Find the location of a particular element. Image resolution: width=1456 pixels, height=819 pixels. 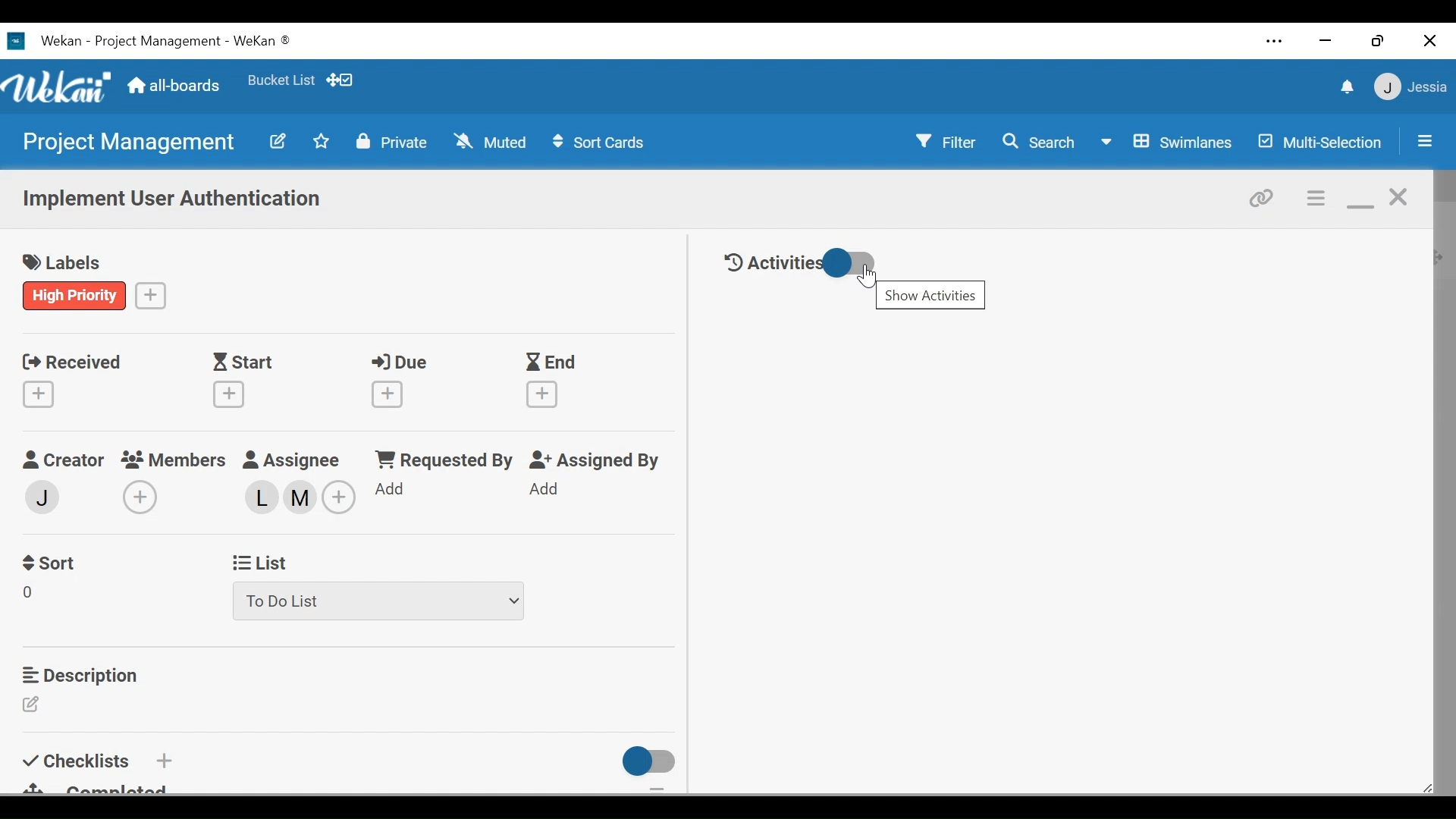

restore is located at coordinates (1379, 40).